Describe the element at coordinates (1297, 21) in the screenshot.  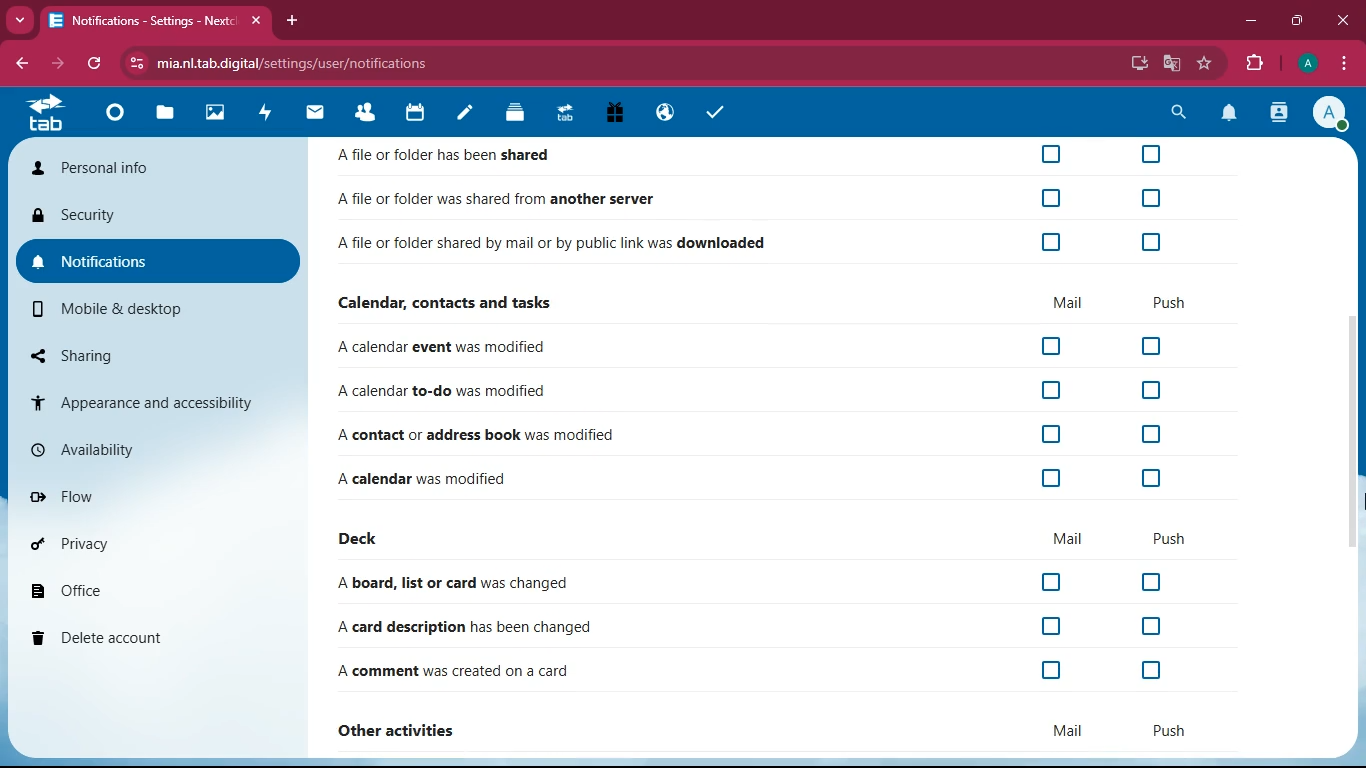
I see `maximize` at that location.